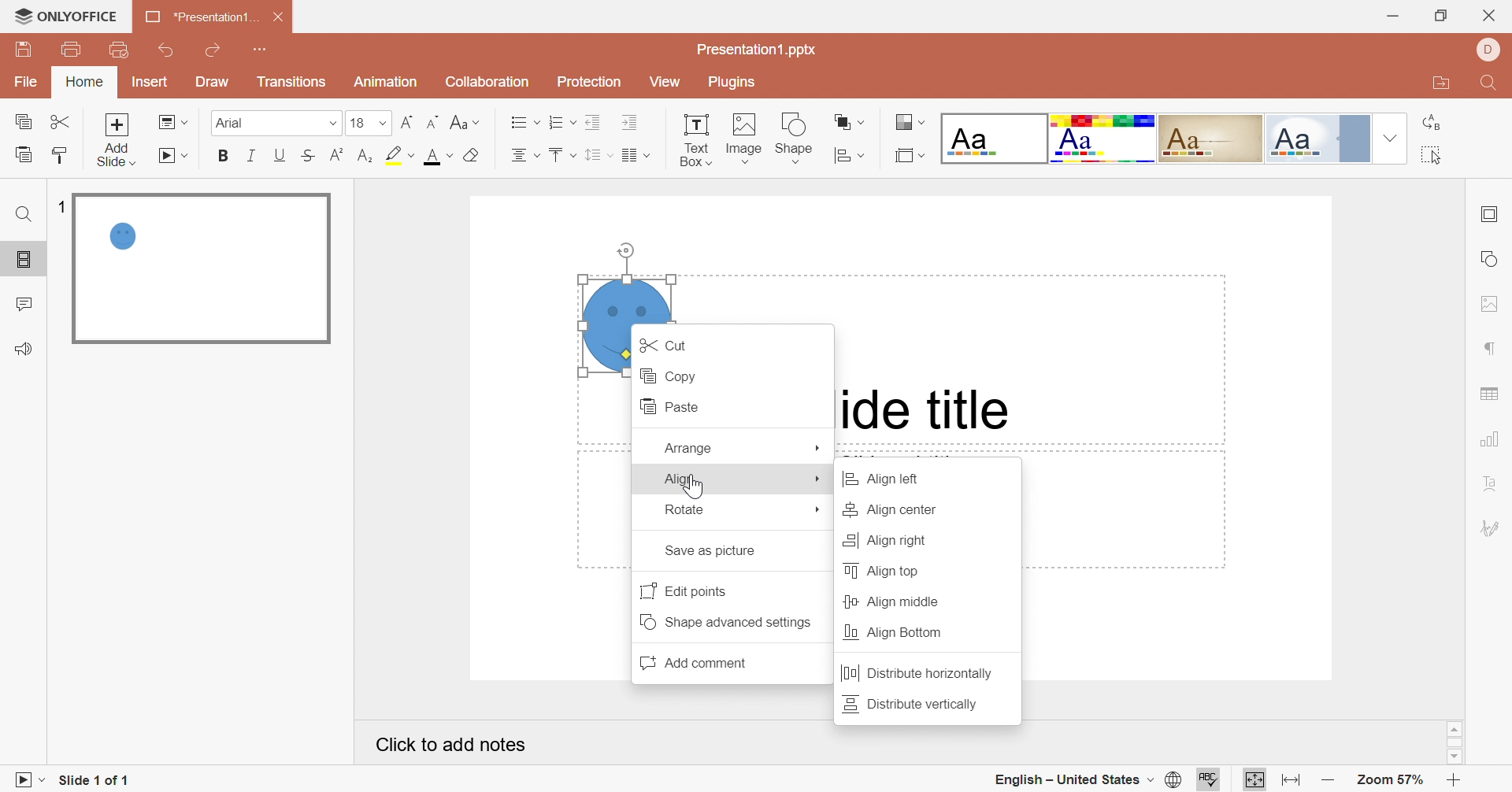  I want to click on Spell Checking, so click(1210, 779).